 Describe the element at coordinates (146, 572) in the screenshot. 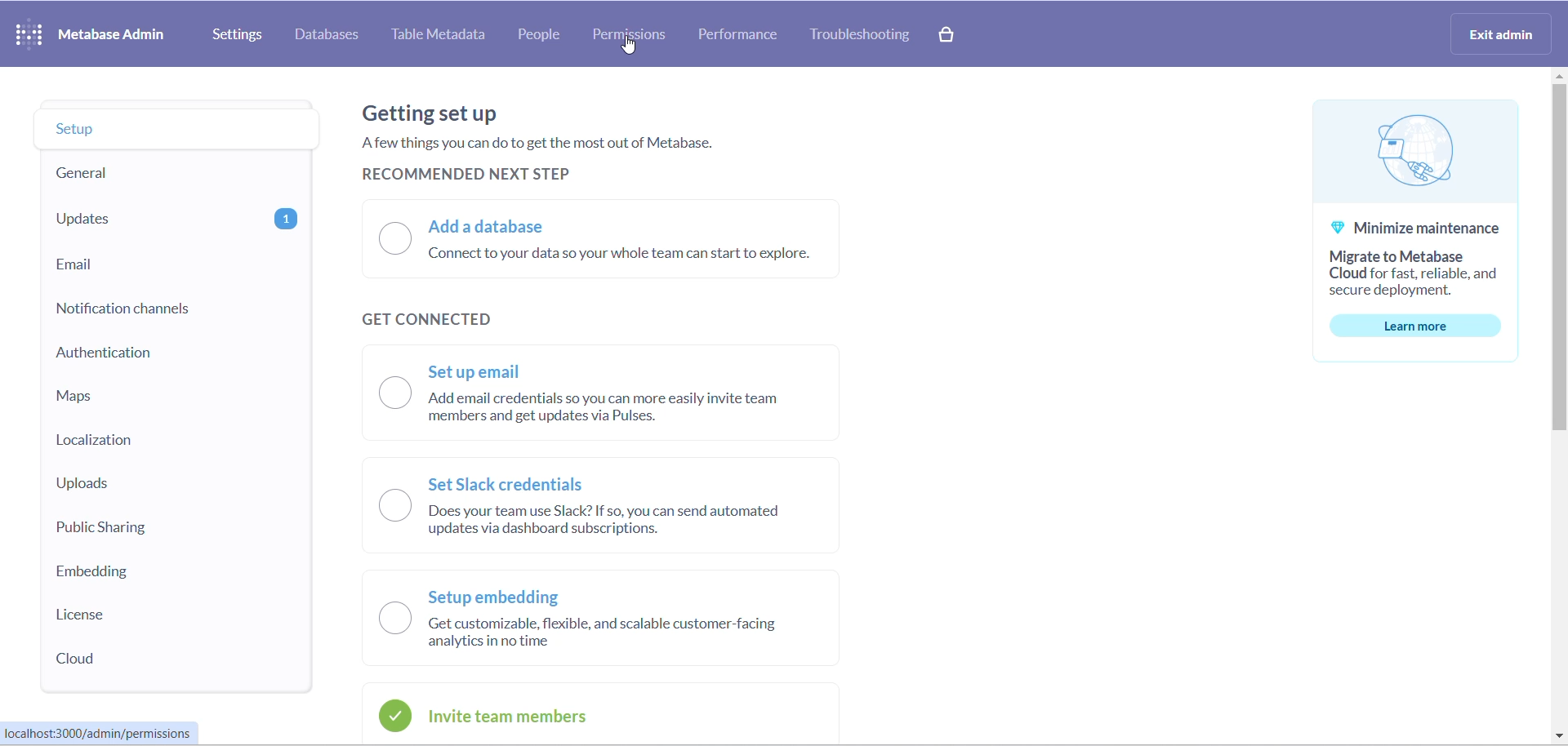

I see `embedding` at that location.